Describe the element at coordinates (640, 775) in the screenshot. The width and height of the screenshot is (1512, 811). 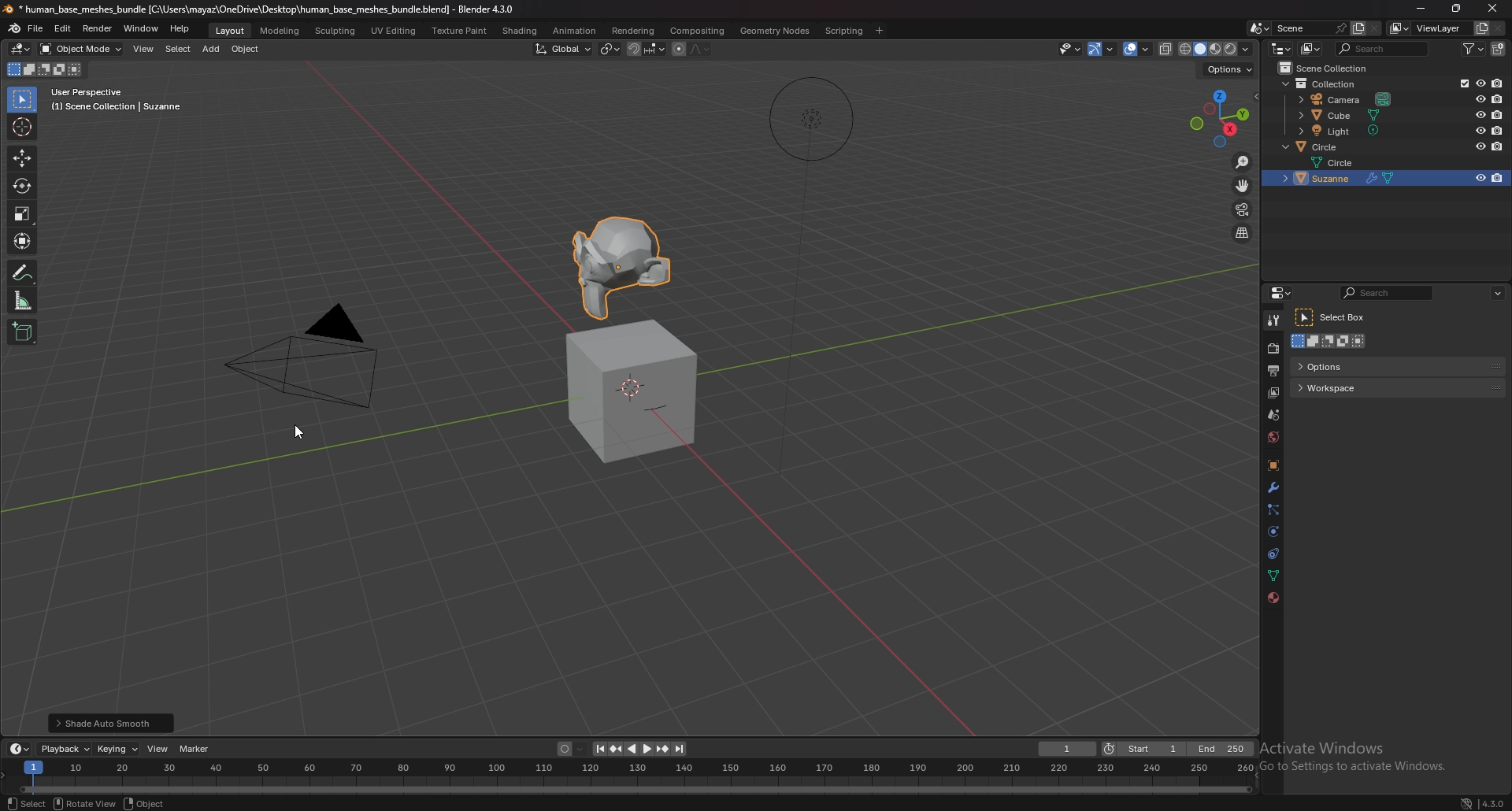
I see `seek` at that location.